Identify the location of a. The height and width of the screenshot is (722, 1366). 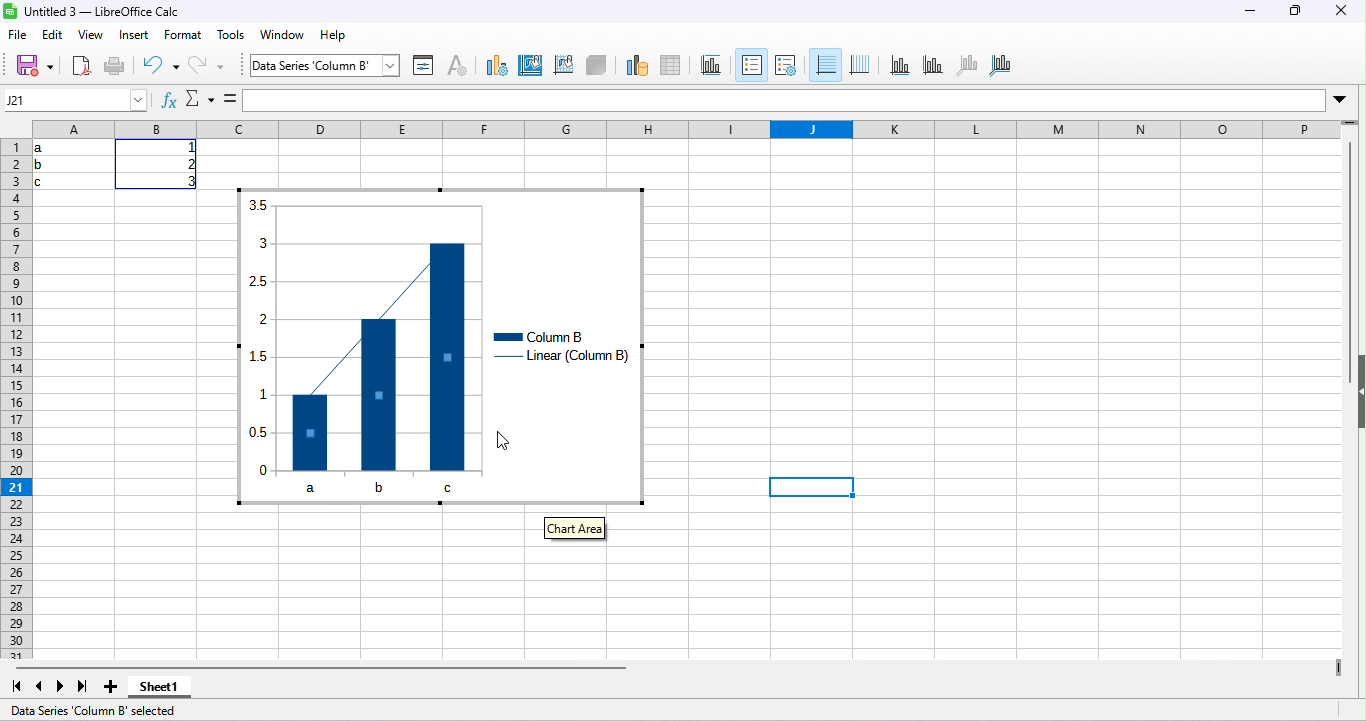
(333, 488).